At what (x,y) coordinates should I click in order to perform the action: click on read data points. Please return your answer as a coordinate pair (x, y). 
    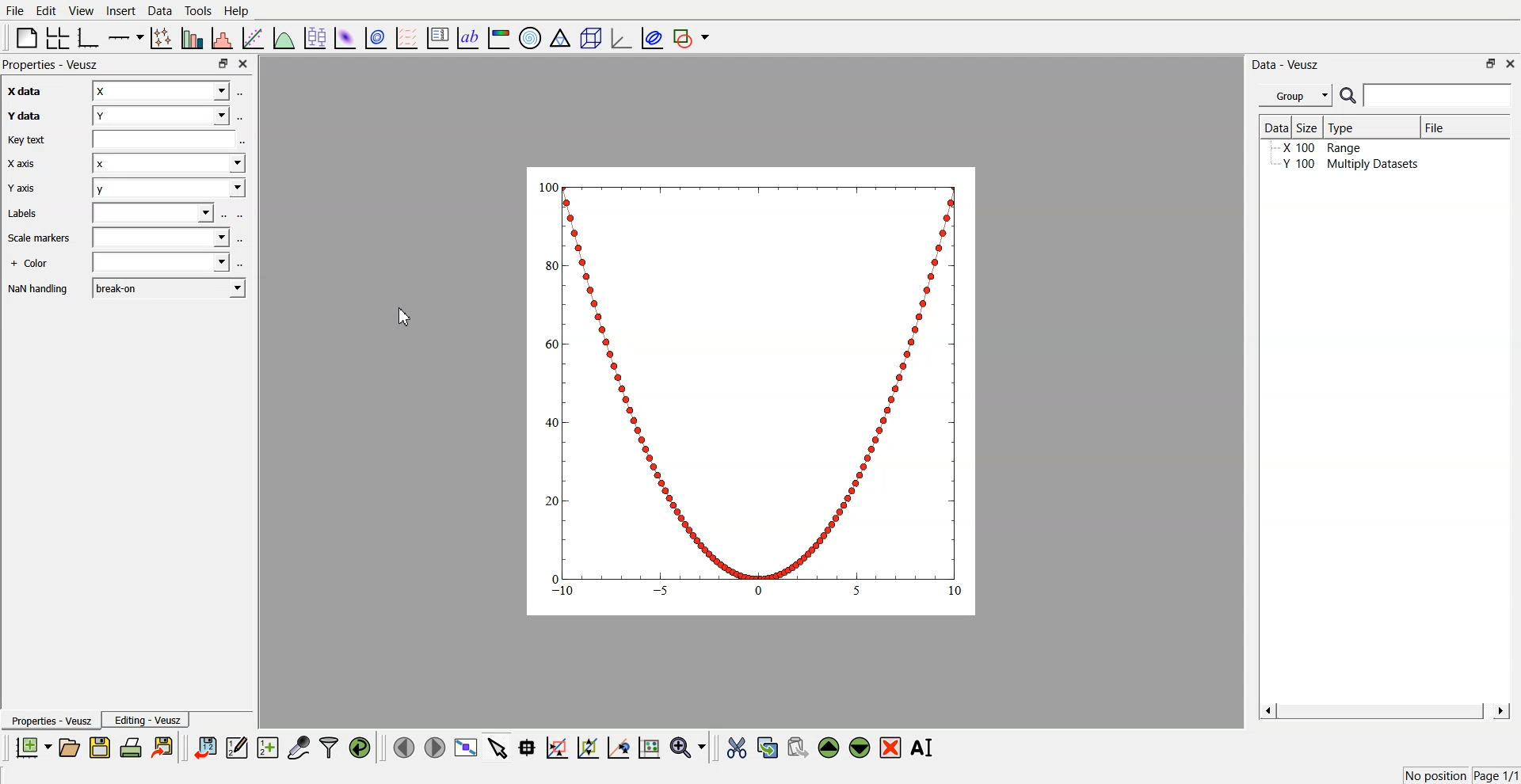
    Looking at the image, I should click on (527, 748).